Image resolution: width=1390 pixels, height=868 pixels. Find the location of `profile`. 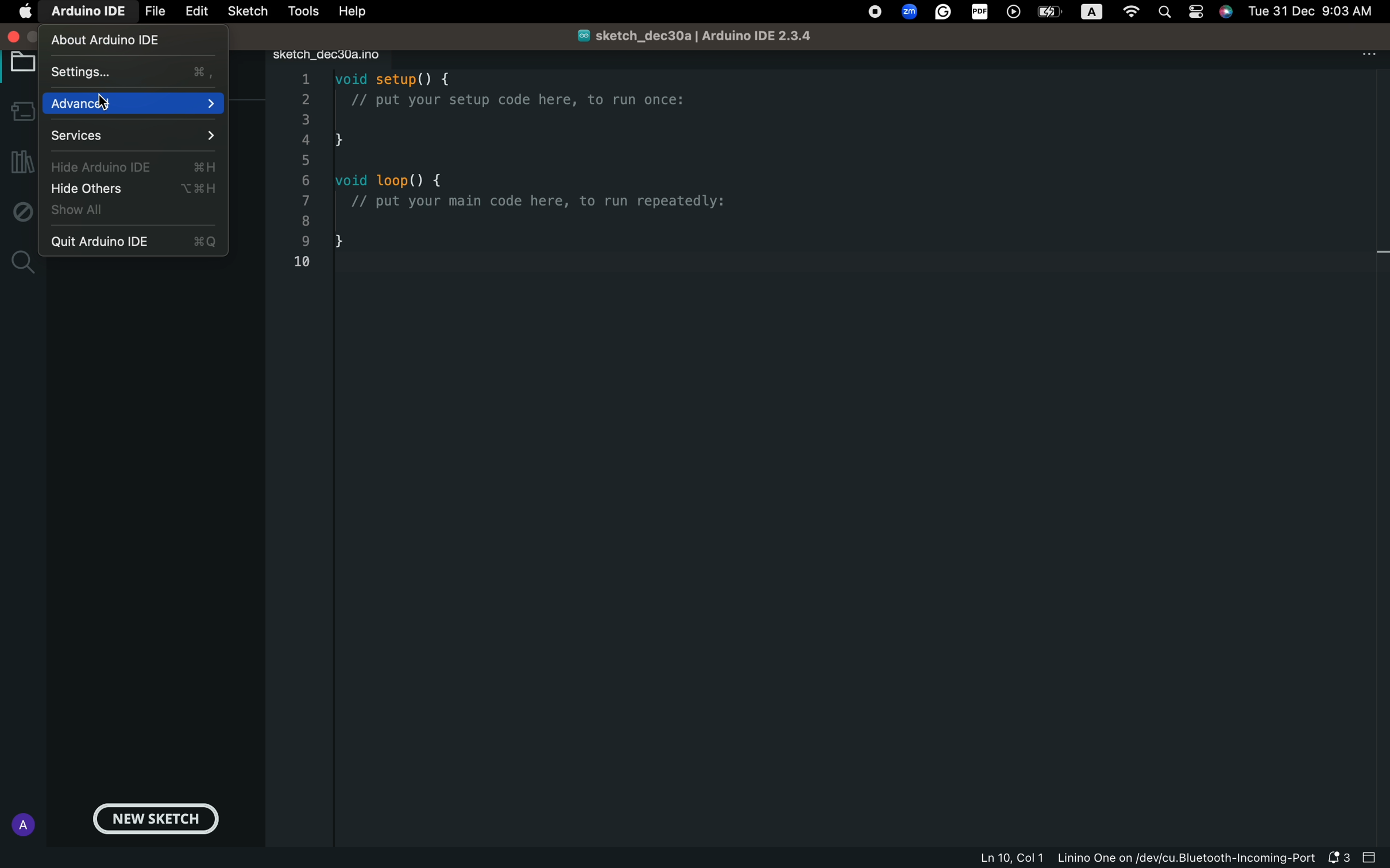

profile is located at coordinates (20, 824).